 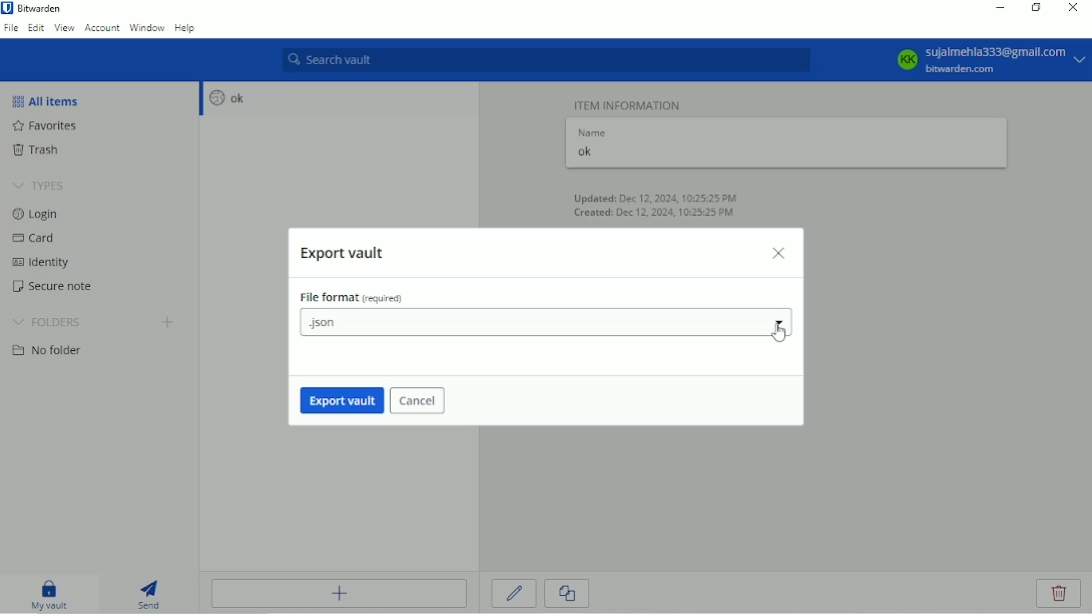 I want to click on Restore down, so click(x=1036, y=7).